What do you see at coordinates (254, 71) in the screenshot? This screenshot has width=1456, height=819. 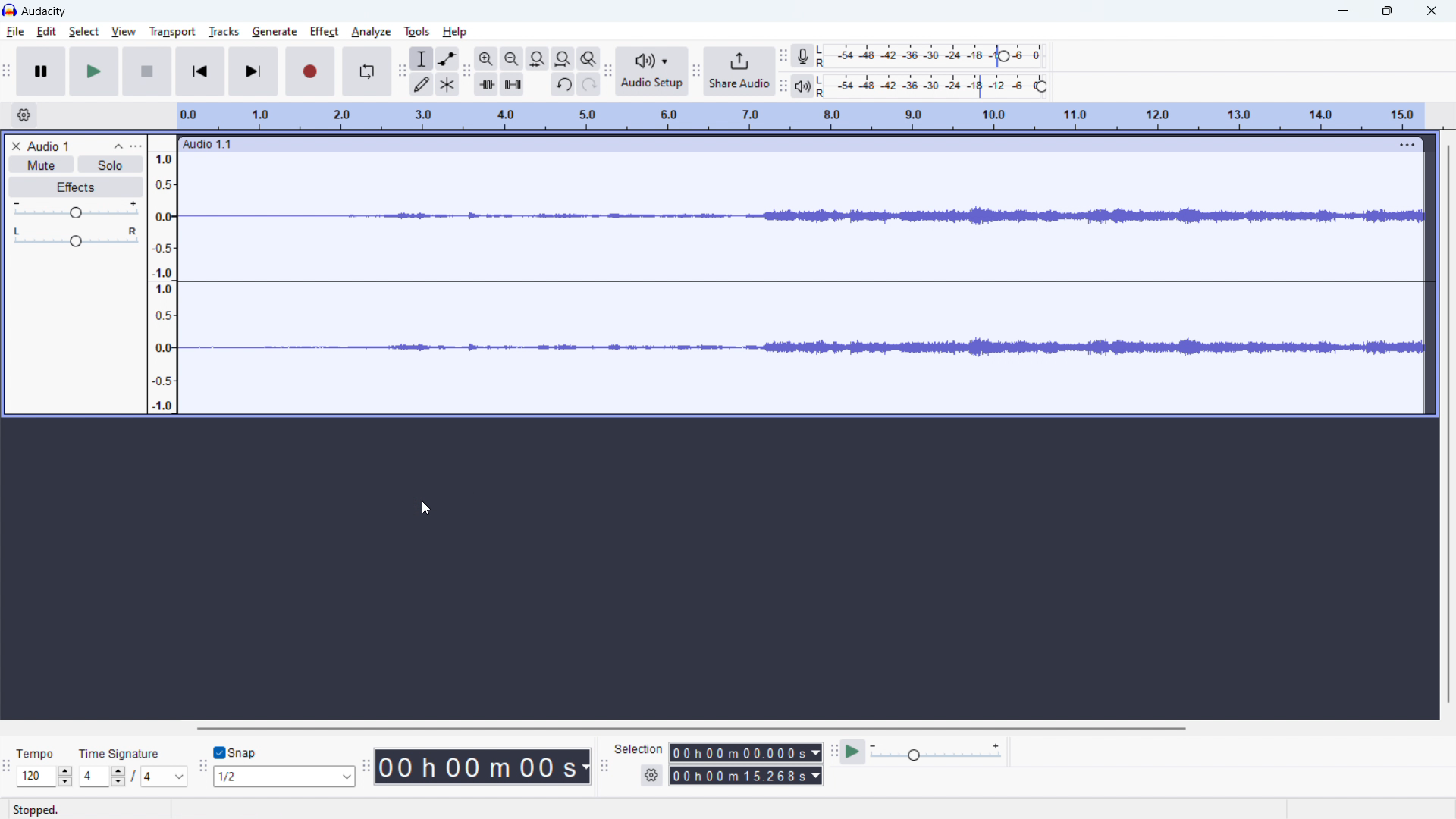 I see `skip to last` at bounding box center [254, 71].